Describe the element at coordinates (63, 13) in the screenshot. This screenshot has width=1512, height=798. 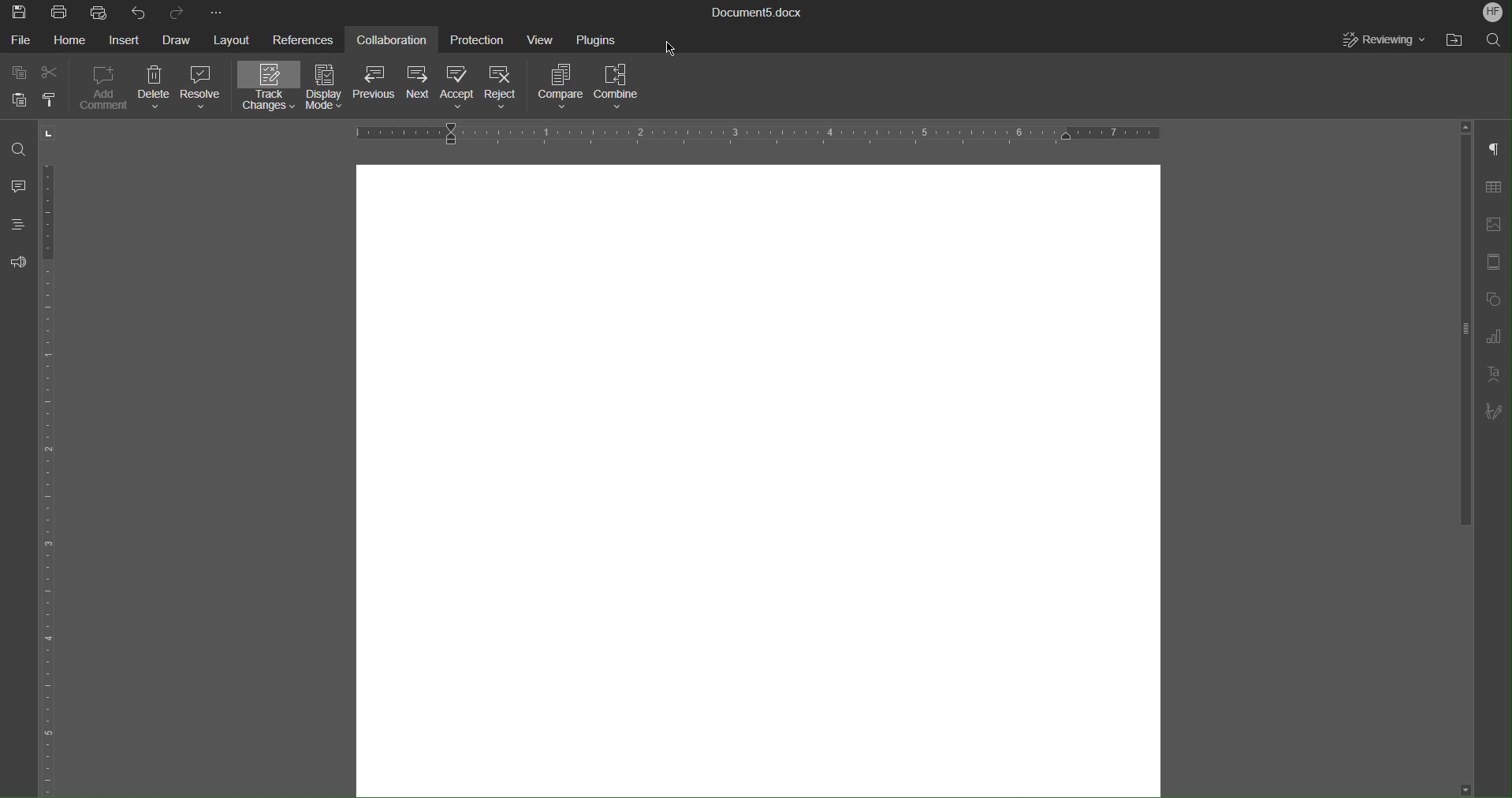
I see `Print` at that location.